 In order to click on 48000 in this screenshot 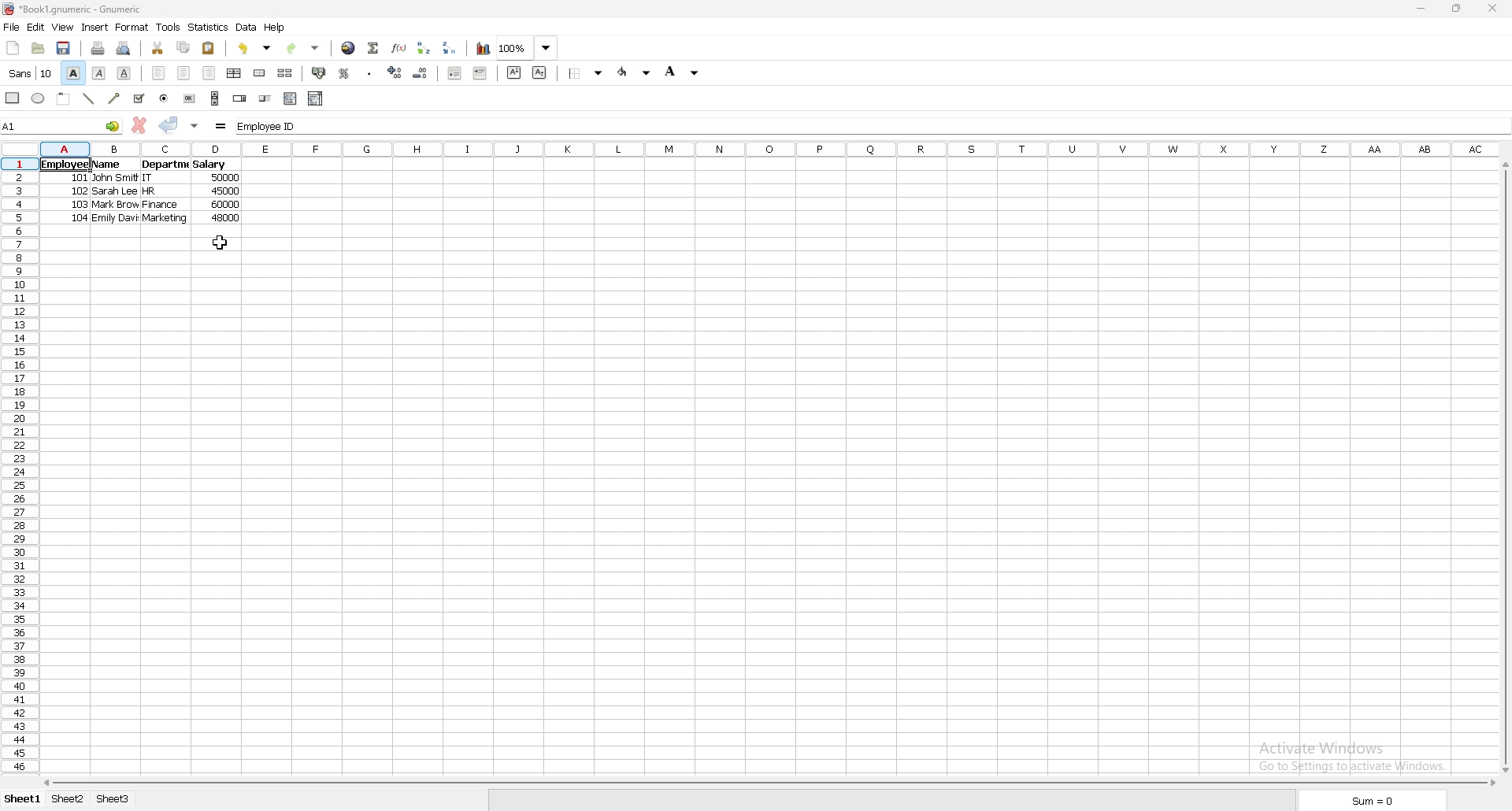, I will do `click(226, 218)`.